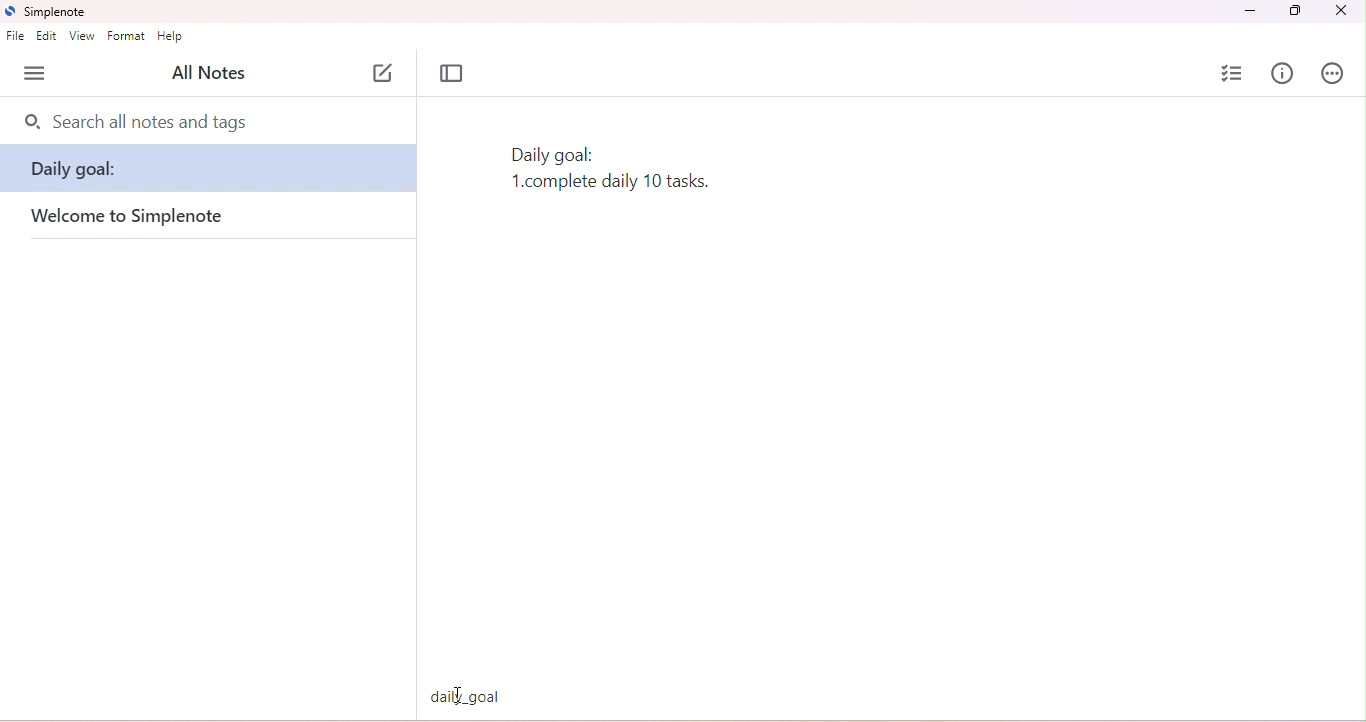 Image resolution: width=1366 pixels, height=722 pixels. What do you see at coordinates (384, 73) in the screenshot?
I see `new note` at bounding box center [384, 73].